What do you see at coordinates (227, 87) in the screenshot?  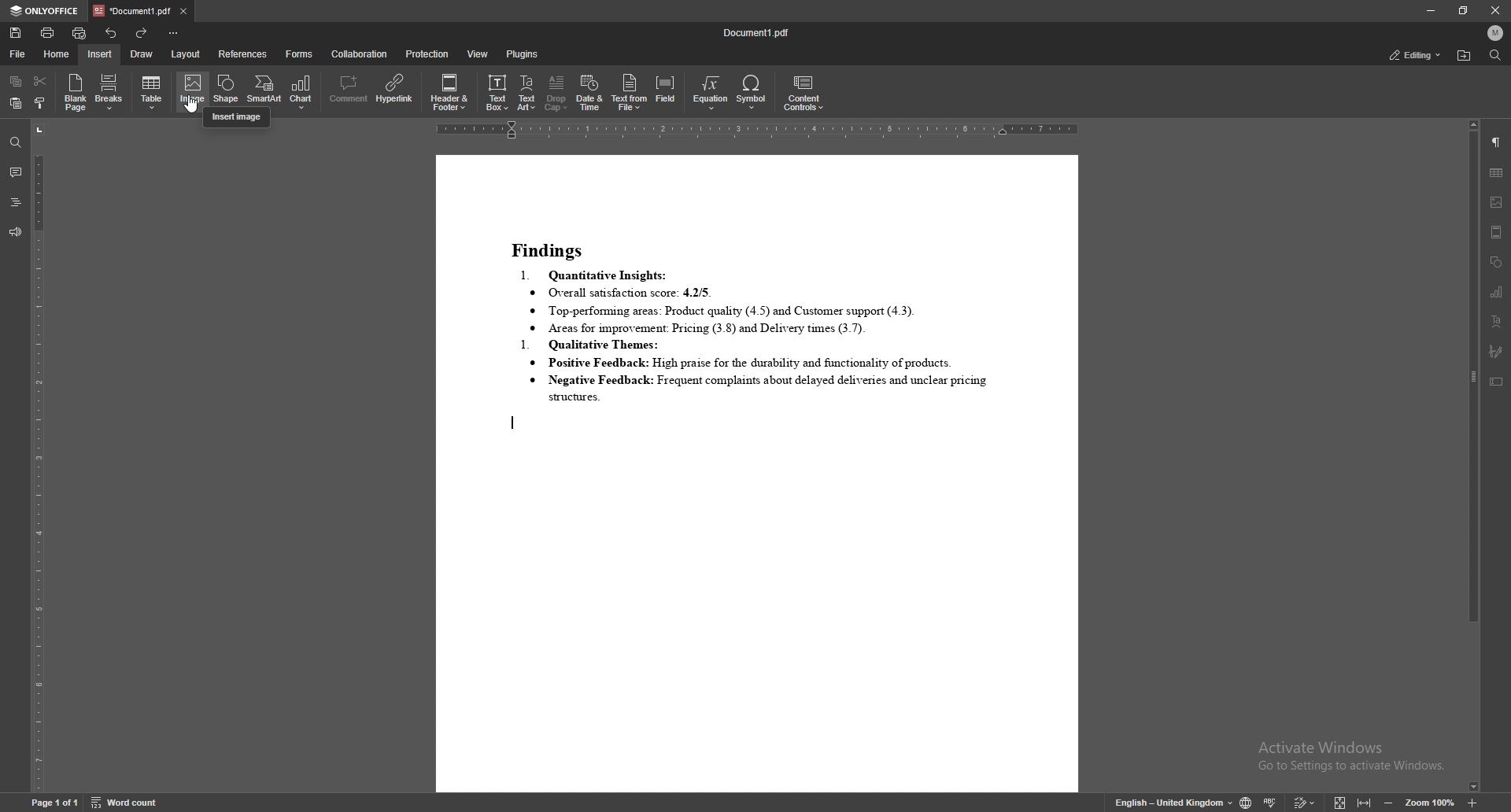 I see `shape` at bounding box center [227, 87].